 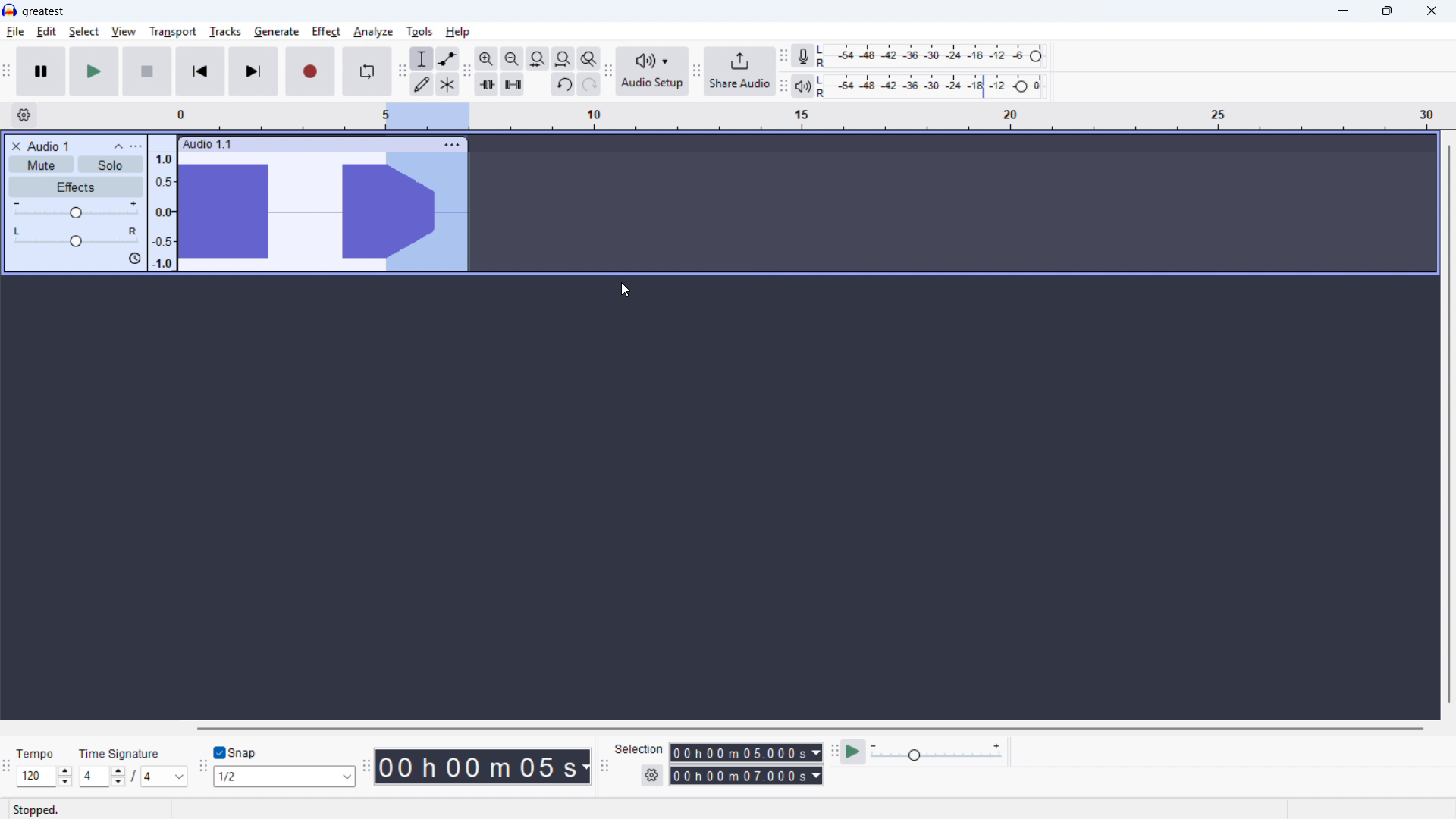 I want to click on effect, so click(x=326, y=32).